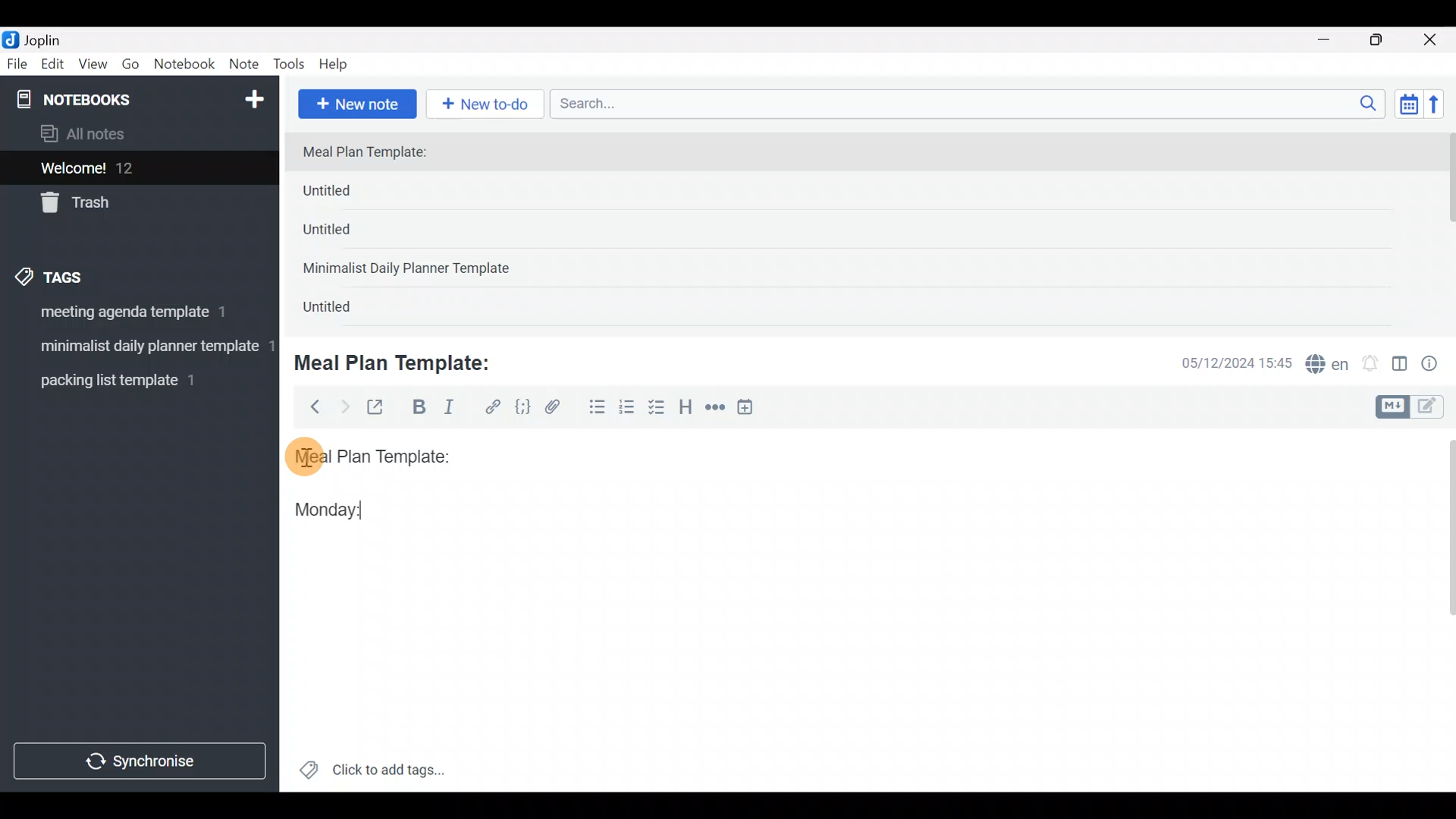  I want to click on Click to add tags, so click(372, 775).